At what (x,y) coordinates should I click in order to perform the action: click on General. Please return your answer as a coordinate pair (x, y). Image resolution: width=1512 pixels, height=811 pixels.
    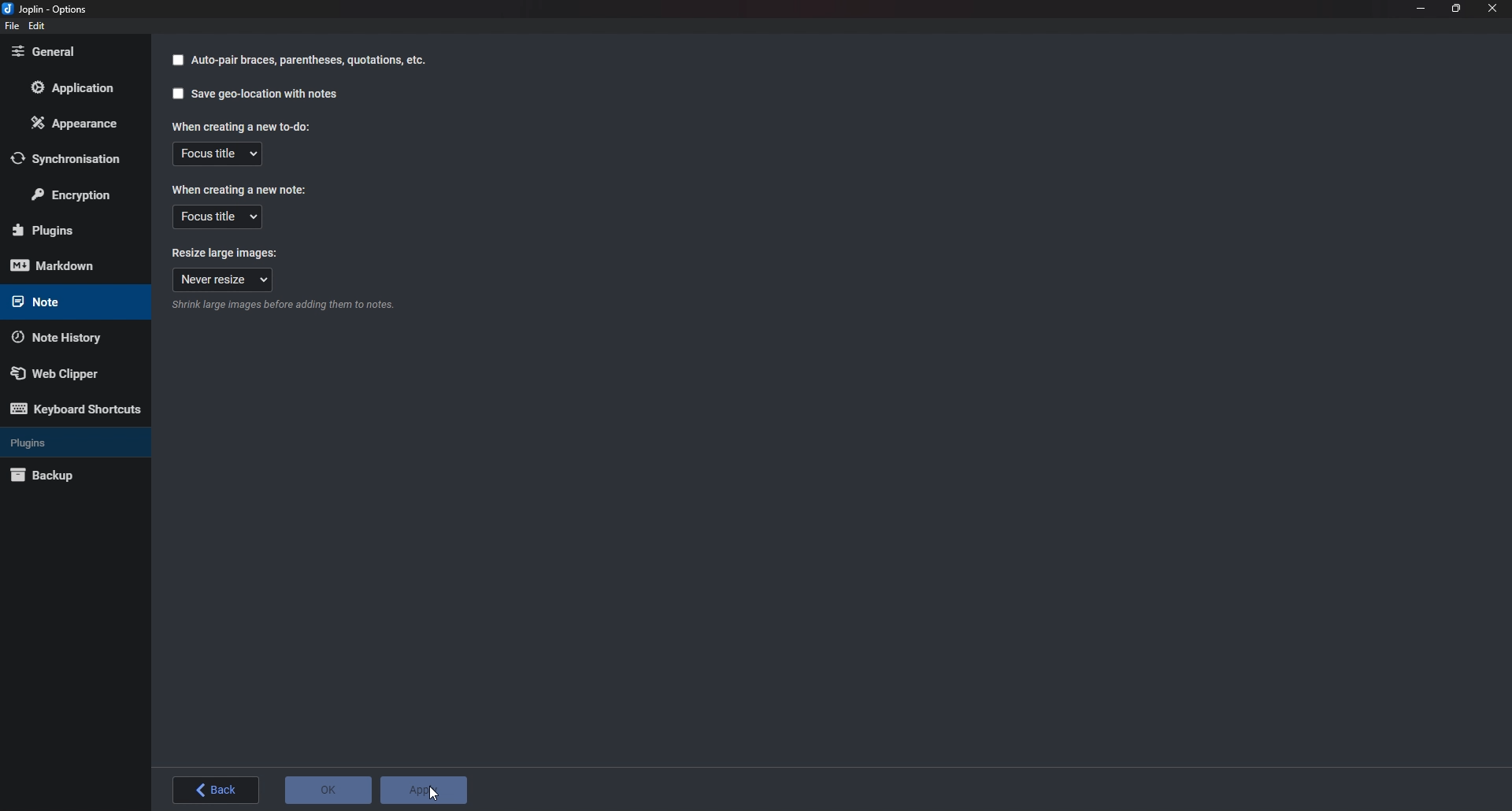
    Looking at the image, I should click on (71, 53).